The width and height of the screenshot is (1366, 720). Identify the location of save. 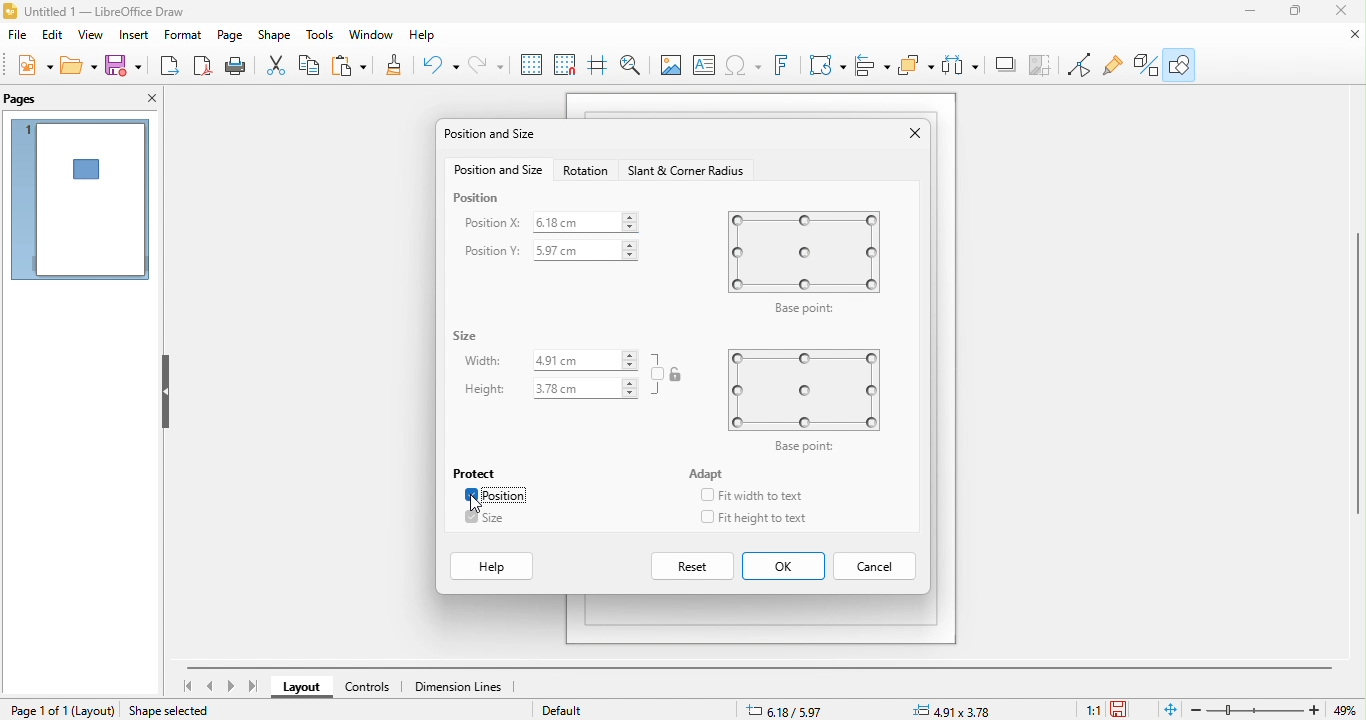
(123, 65).